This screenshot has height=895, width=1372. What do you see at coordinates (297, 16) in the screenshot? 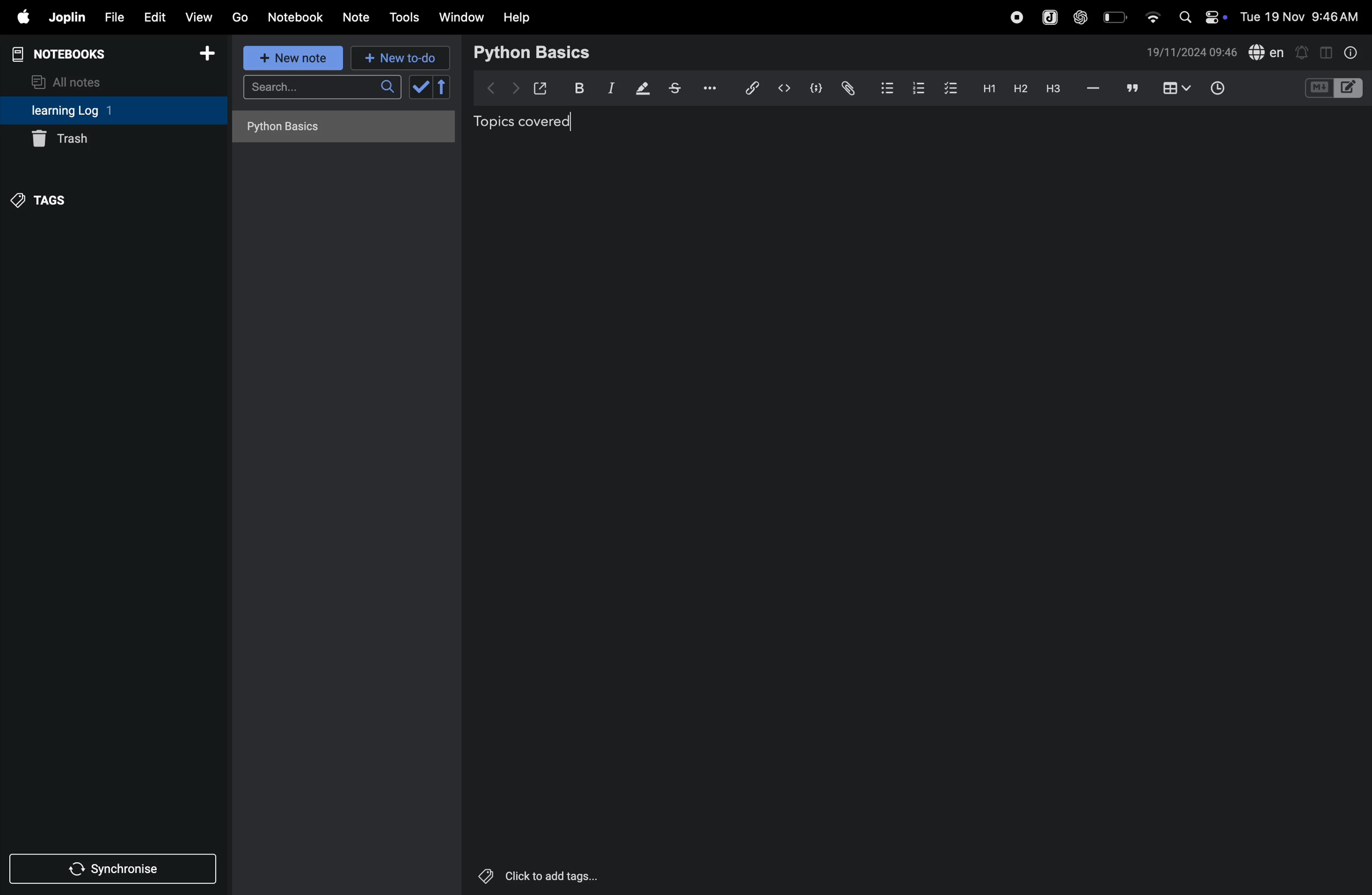
I see `notebook` at bounding box center [297, 16].